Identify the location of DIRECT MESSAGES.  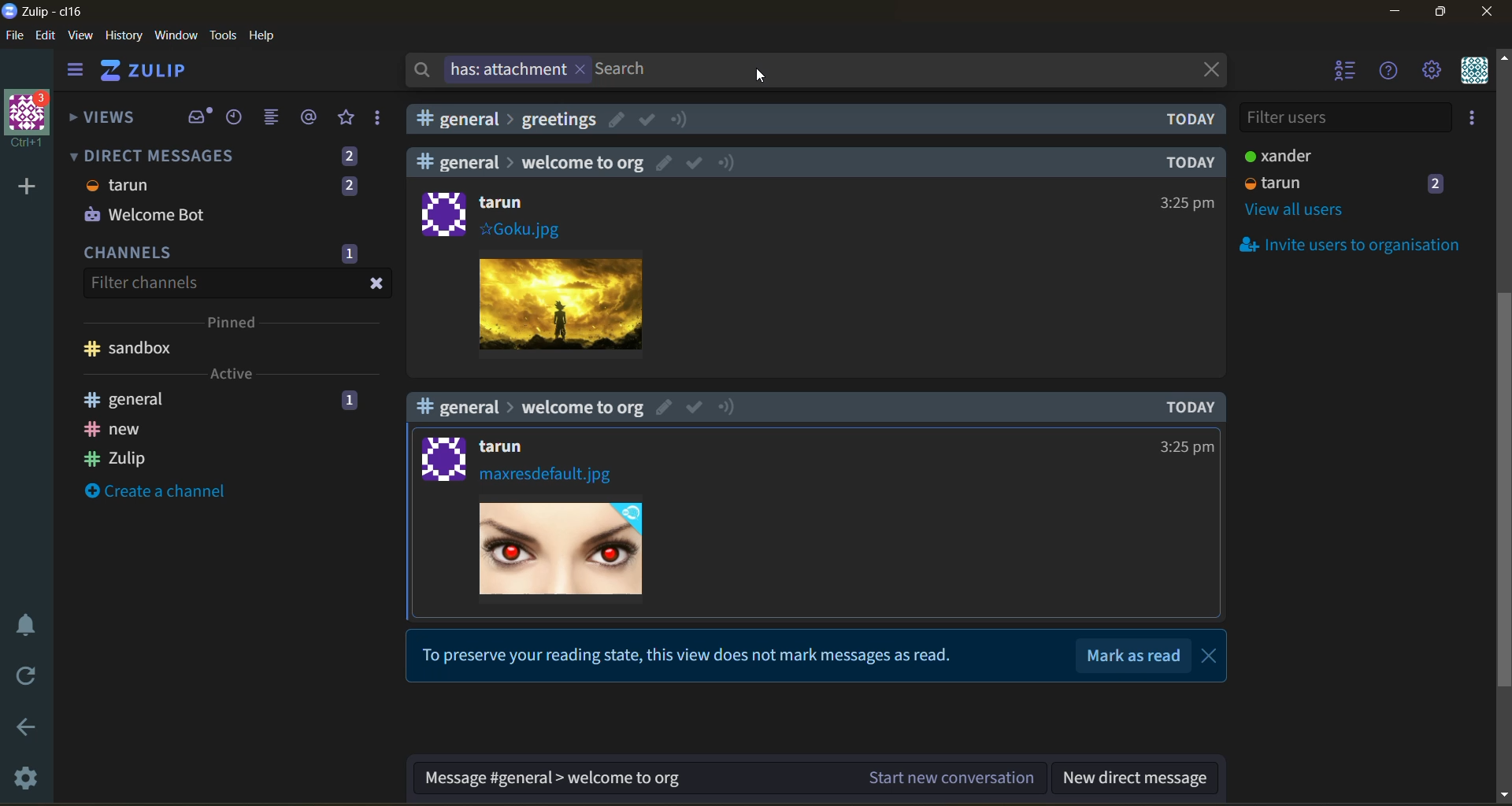
(151, 156).